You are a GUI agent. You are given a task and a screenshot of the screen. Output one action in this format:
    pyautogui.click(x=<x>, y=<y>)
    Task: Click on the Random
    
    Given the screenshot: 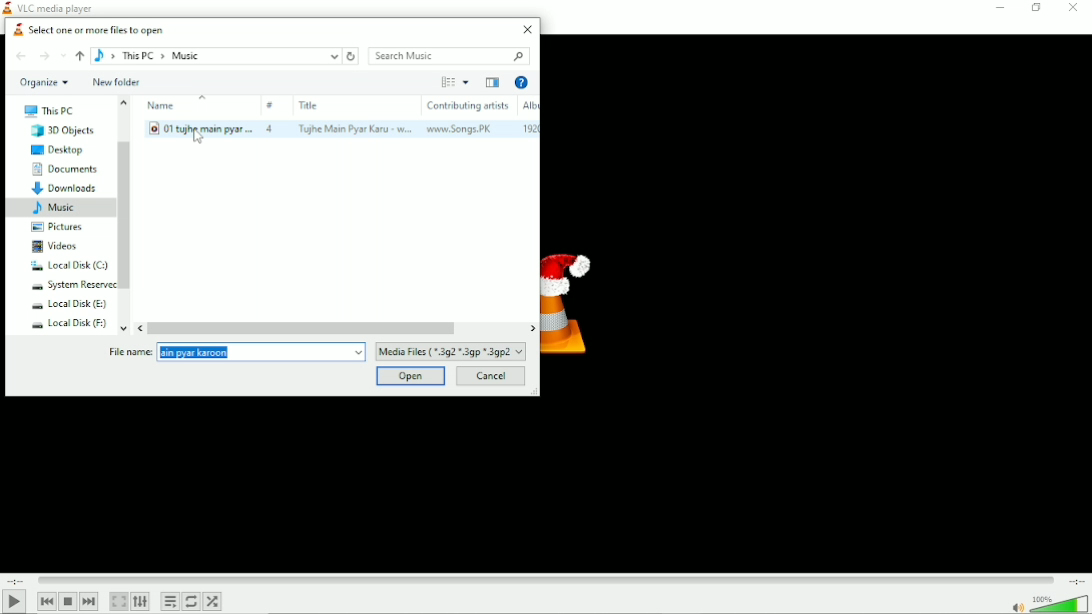 What is the action you would take?
    pyautogui.click(x=213, y=601)
    